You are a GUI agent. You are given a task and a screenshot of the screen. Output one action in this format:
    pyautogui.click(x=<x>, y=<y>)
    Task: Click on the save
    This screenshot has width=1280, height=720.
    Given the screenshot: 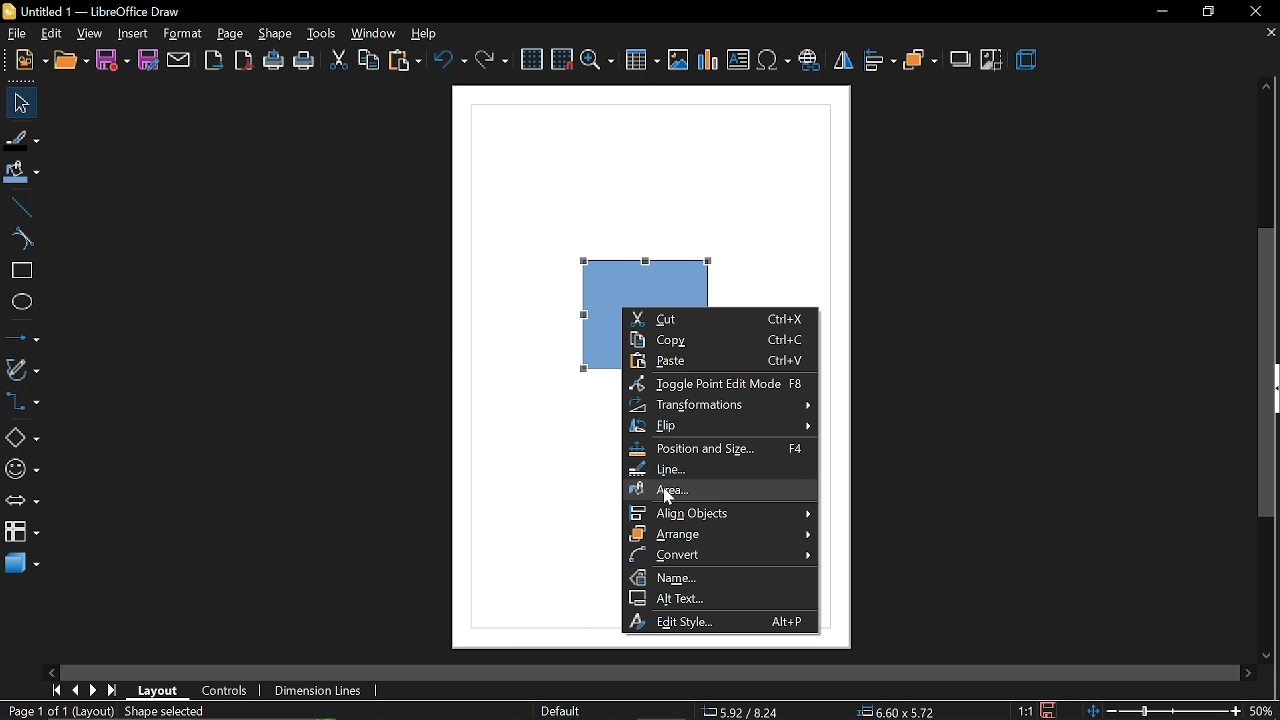 What is the action you would take?
    pyautogui.click(x=112, y=61)
    